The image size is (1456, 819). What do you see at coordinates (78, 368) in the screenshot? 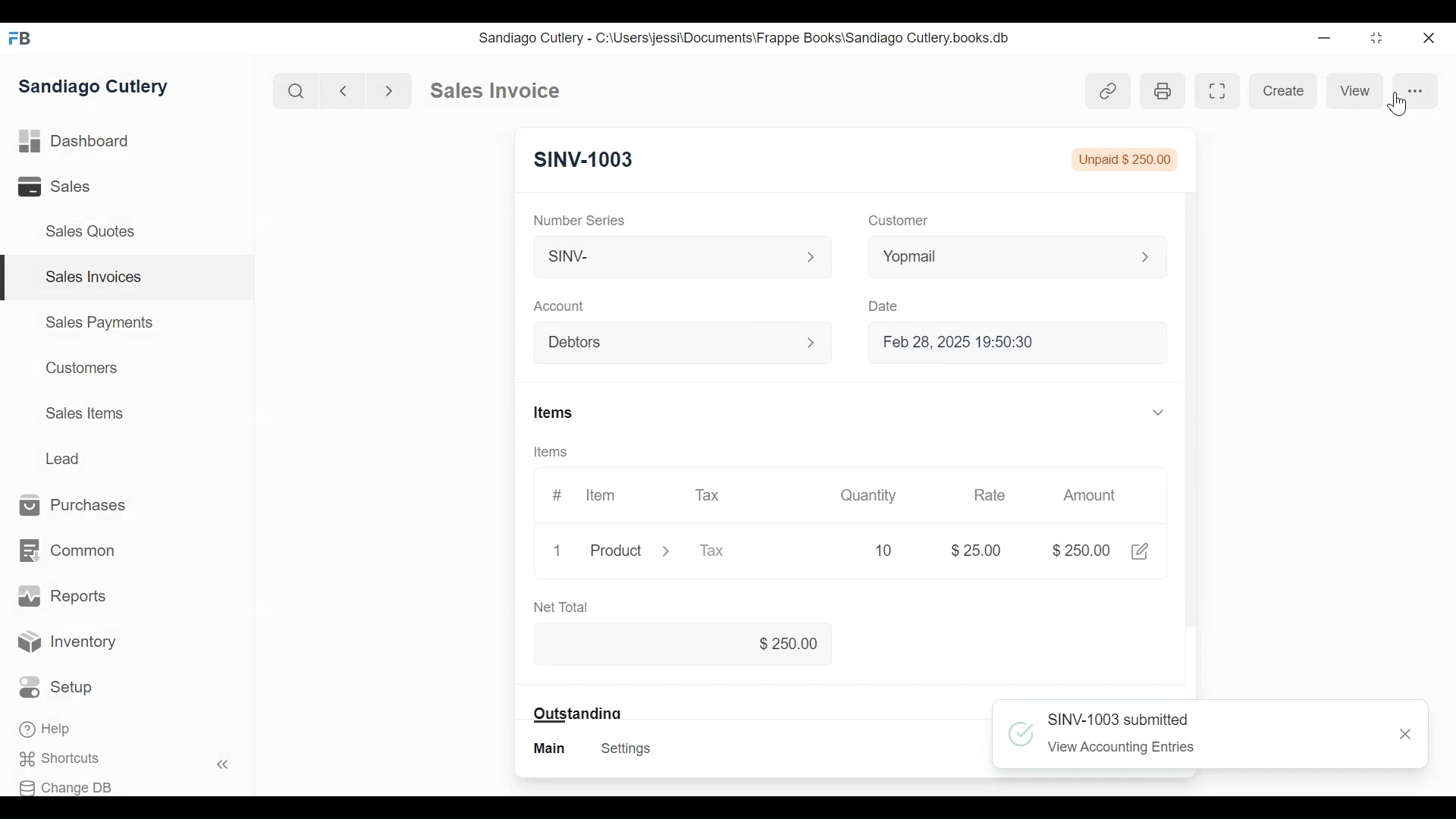
I see `Customers` at bounding box center [78, 368].